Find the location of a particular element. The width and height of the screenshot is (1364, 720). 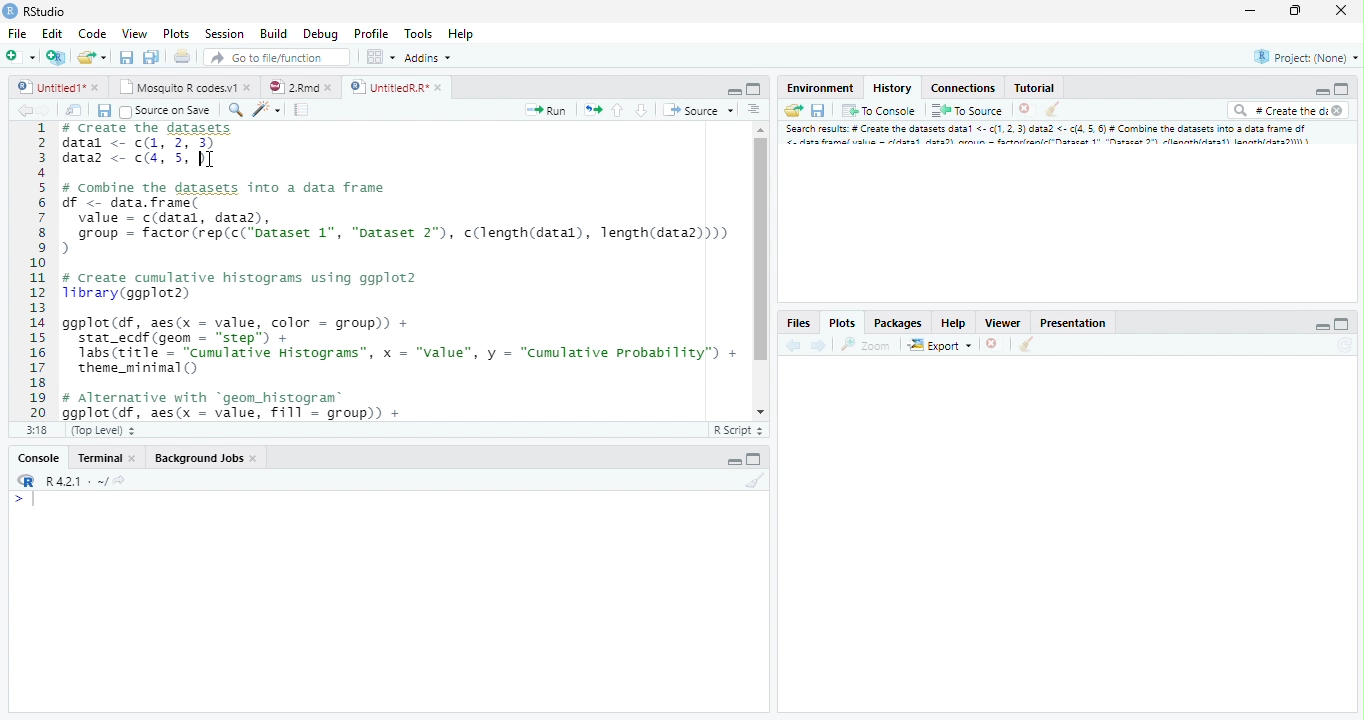

File is located at coordinates (17, 35).